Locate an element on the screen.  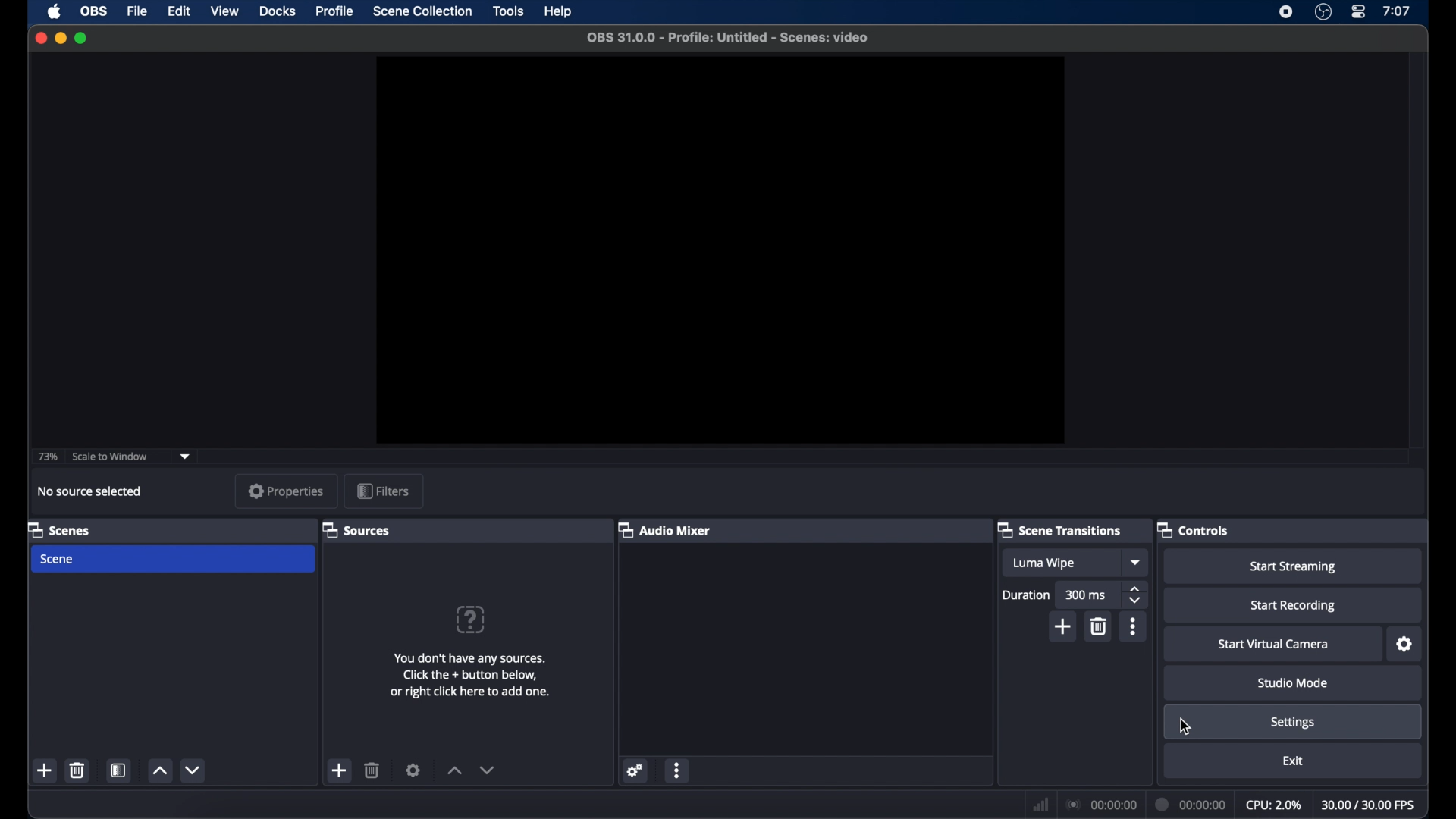
 is located at coordinates (470, 620).